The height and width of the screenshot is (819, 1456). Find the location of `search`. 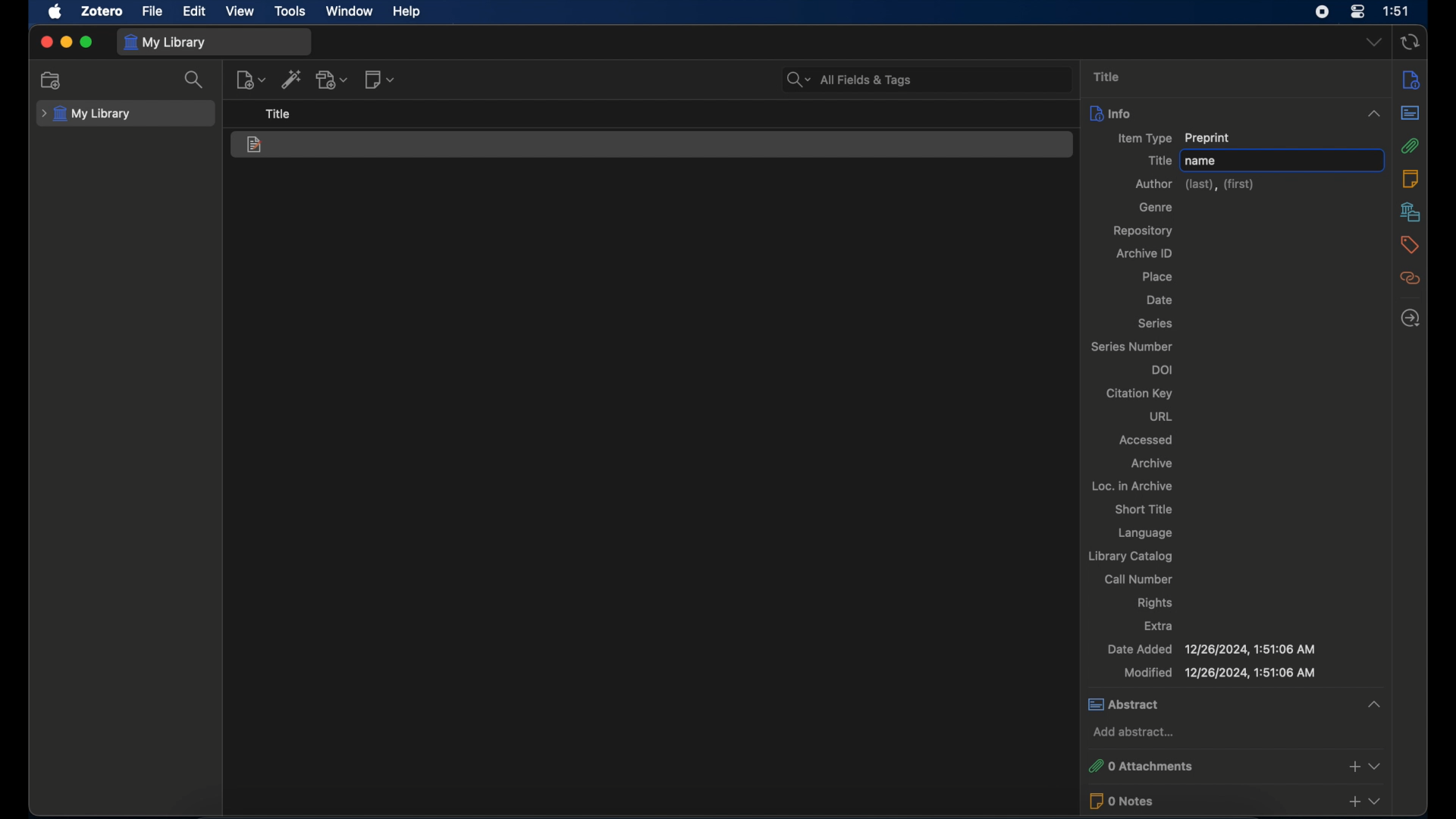

search is located at coordinates (195, 79).